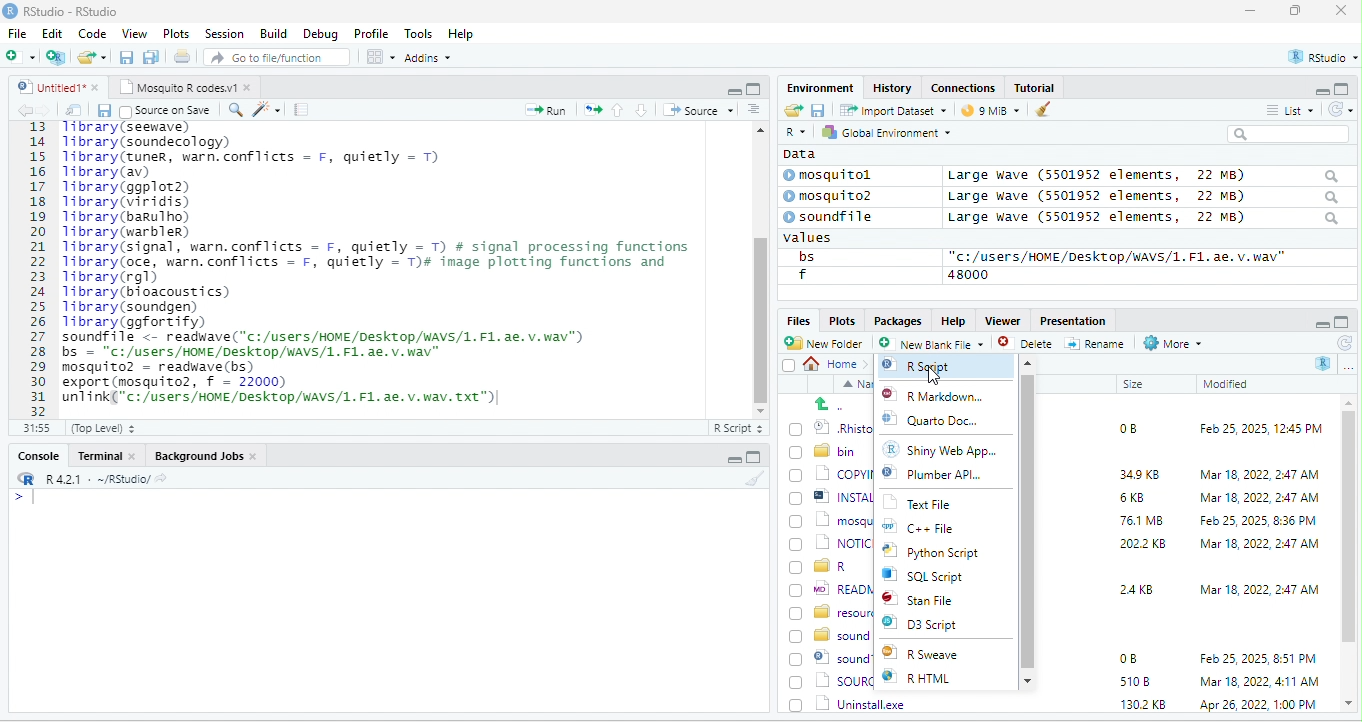 Image resolution: width=1362 pixels, height=722 pixels. I want to click on SQL Script, so click(935, 577).